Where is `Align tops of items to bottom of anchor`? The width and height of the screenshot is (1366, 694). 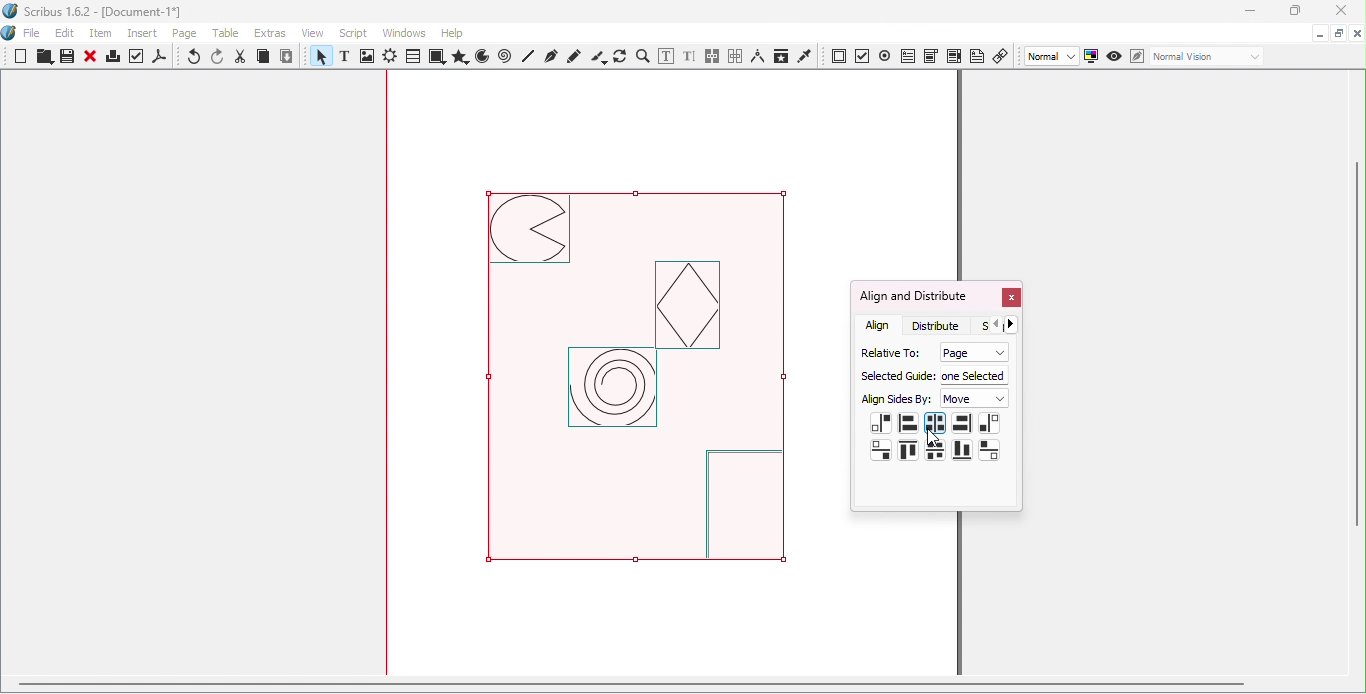
Align tops of items to bottom of anchor is located at coordinates (989, 449).